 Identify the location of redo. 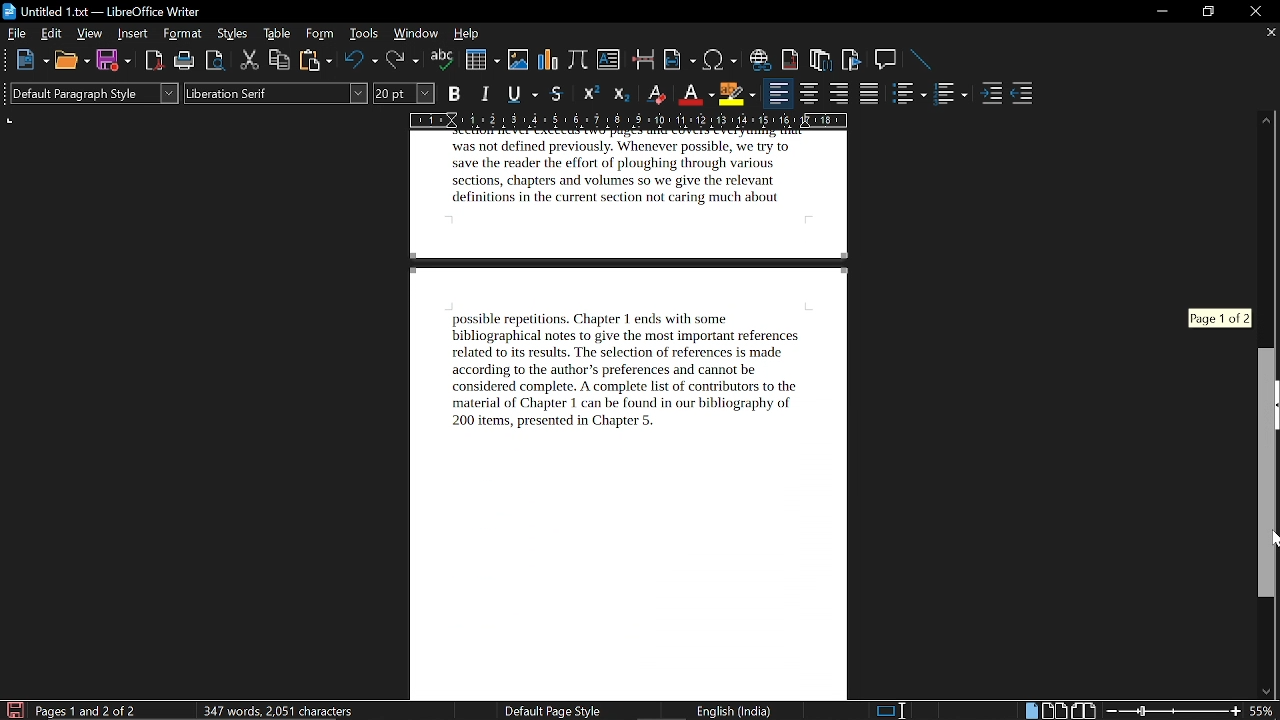
(402, 62).